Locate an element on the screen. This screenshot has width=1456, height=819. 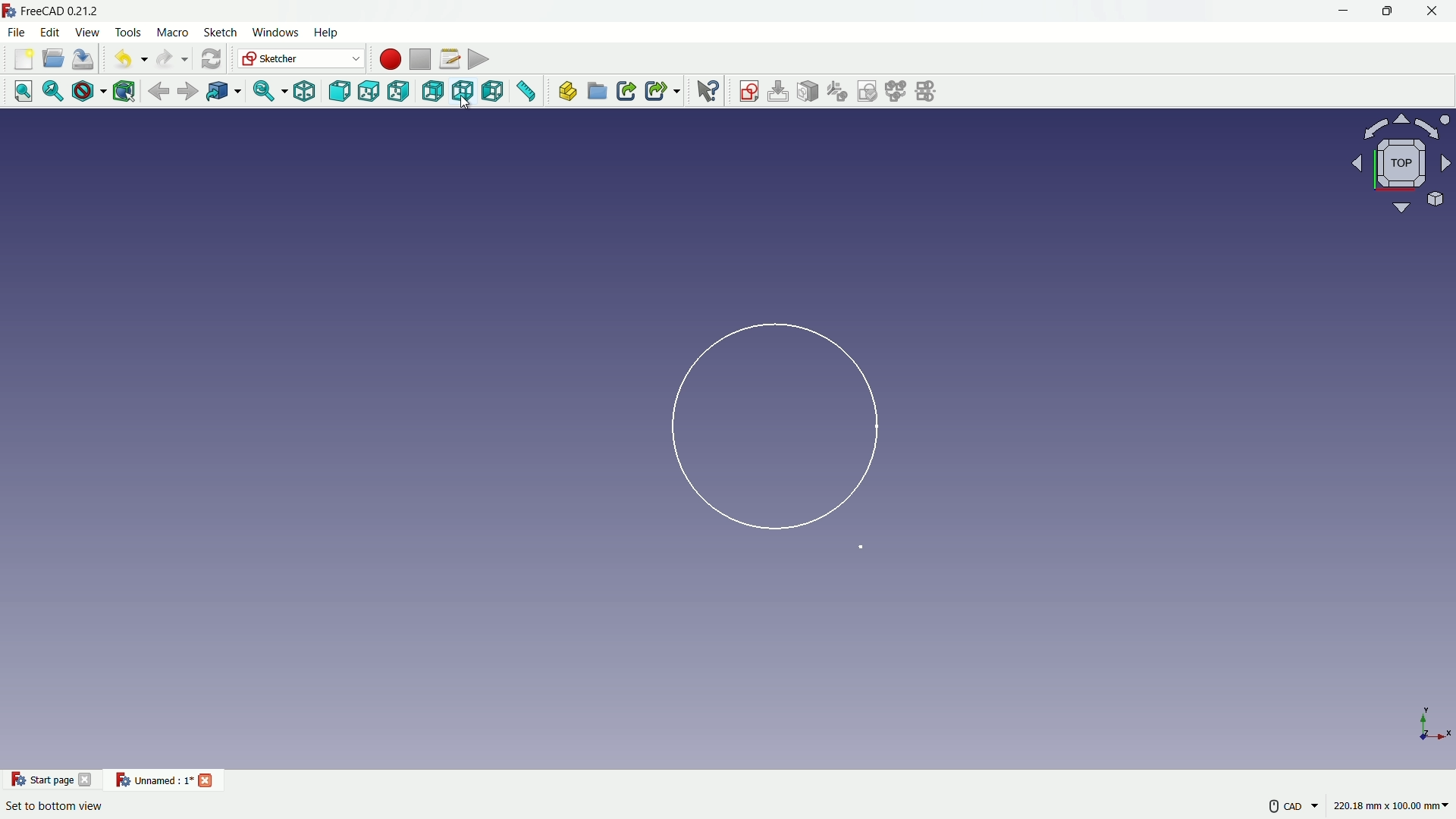
bottom view is located at coordinates (465, 92).